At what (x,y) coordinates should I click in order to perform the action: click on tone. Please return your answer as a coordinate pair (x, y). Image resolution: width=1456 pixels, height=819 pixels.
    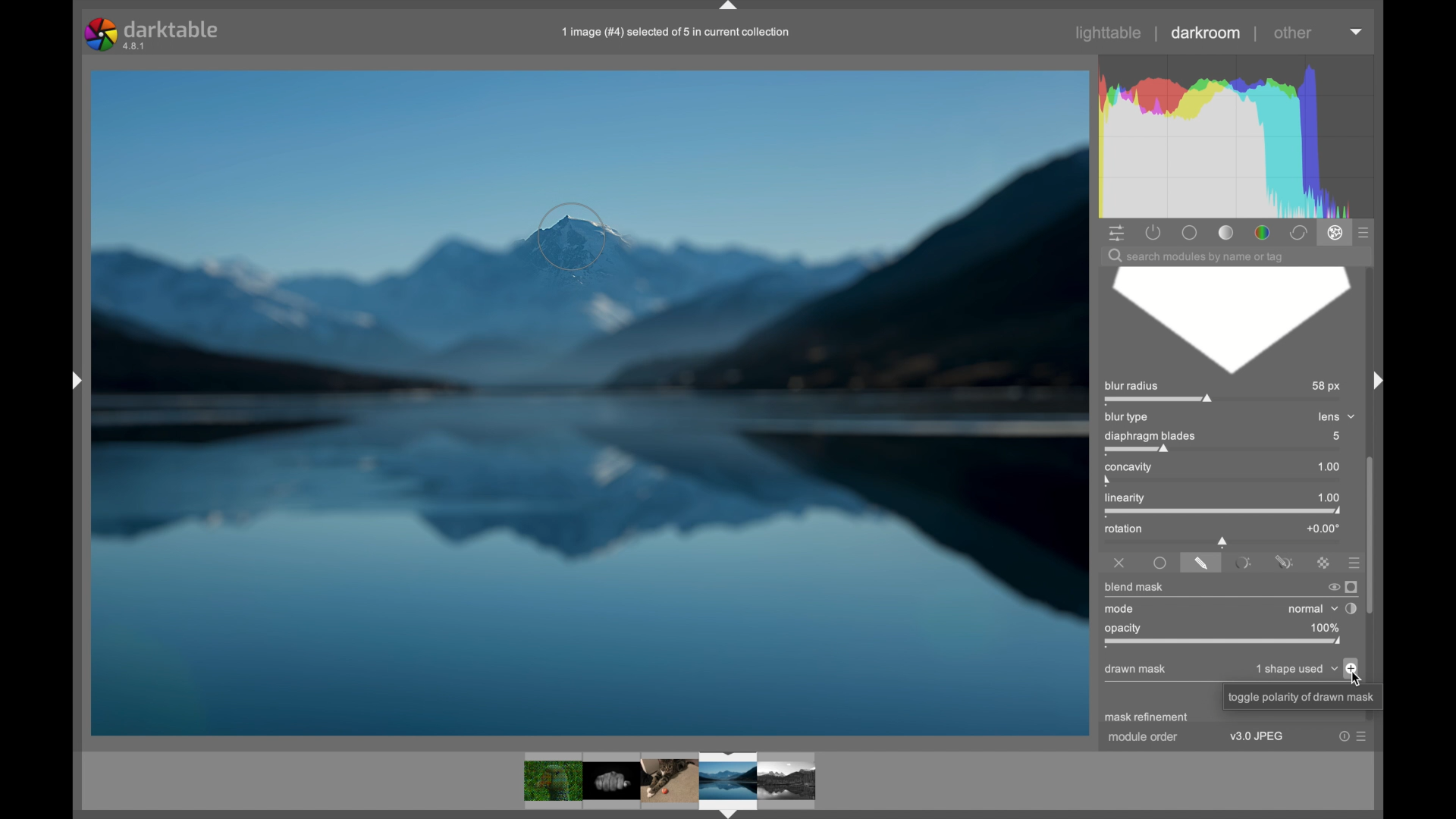
    Looking at the image, I should click on (1225, 232).